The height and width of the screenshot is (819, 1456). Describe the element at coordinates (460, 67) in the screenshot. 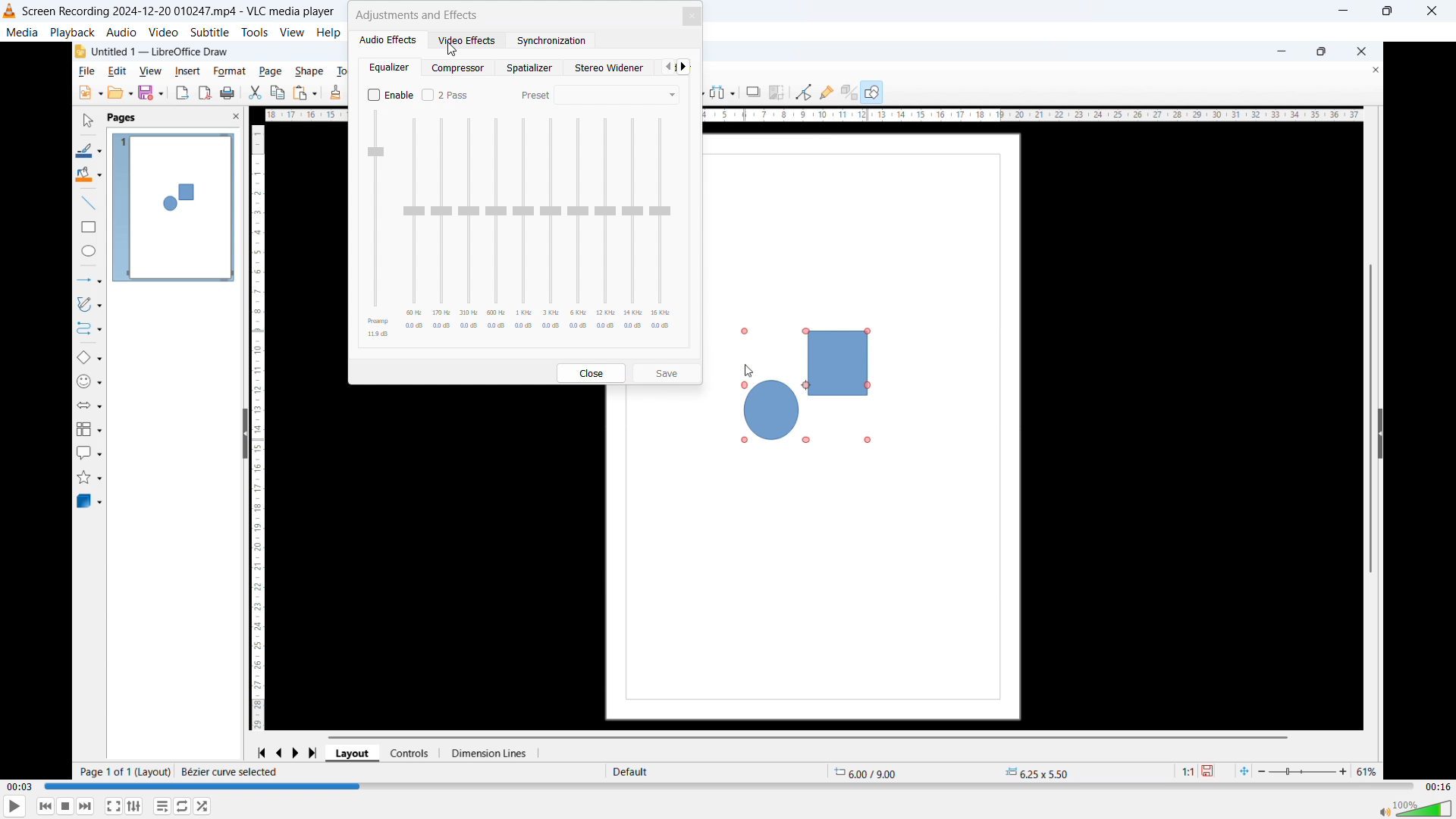

I see `Compressor ` at that location.